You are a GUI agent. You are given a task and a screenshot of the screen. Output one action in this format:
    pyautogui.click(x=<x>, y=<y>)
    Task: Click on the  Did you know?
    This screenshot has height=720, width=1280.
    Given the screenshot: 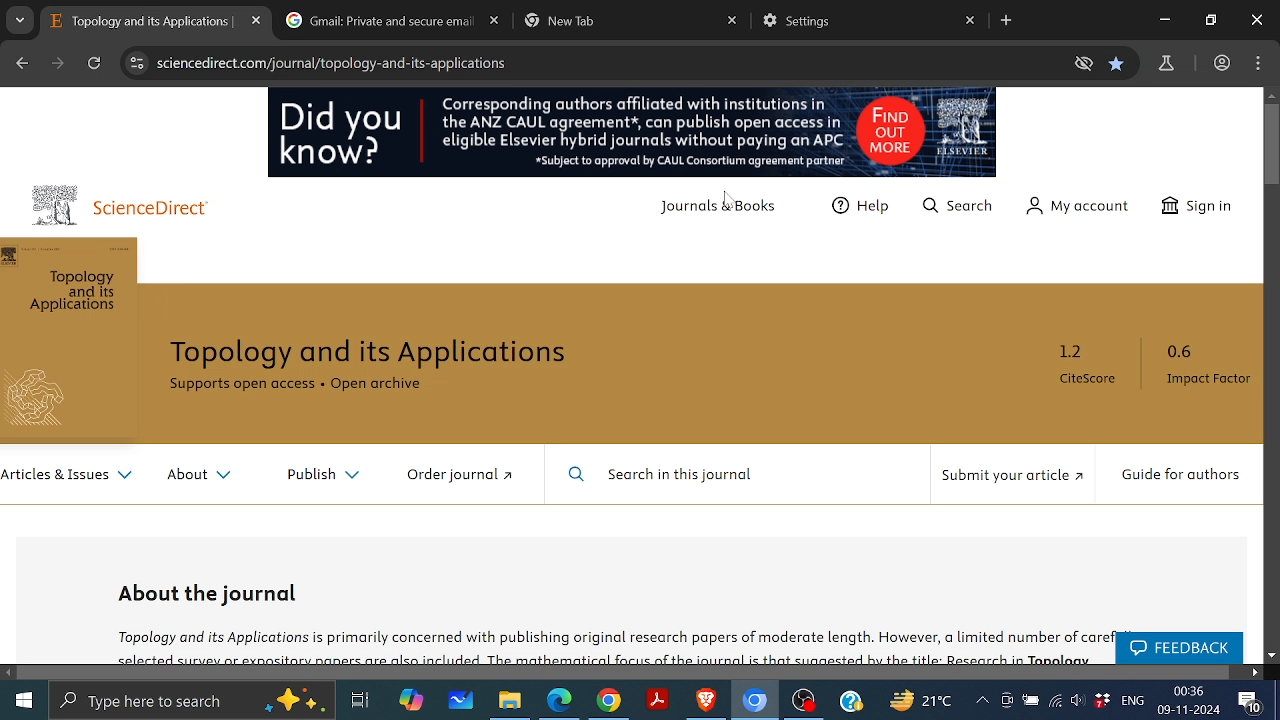 What is the action you would take?
    pyautogui.click(x=339, y=136)
    